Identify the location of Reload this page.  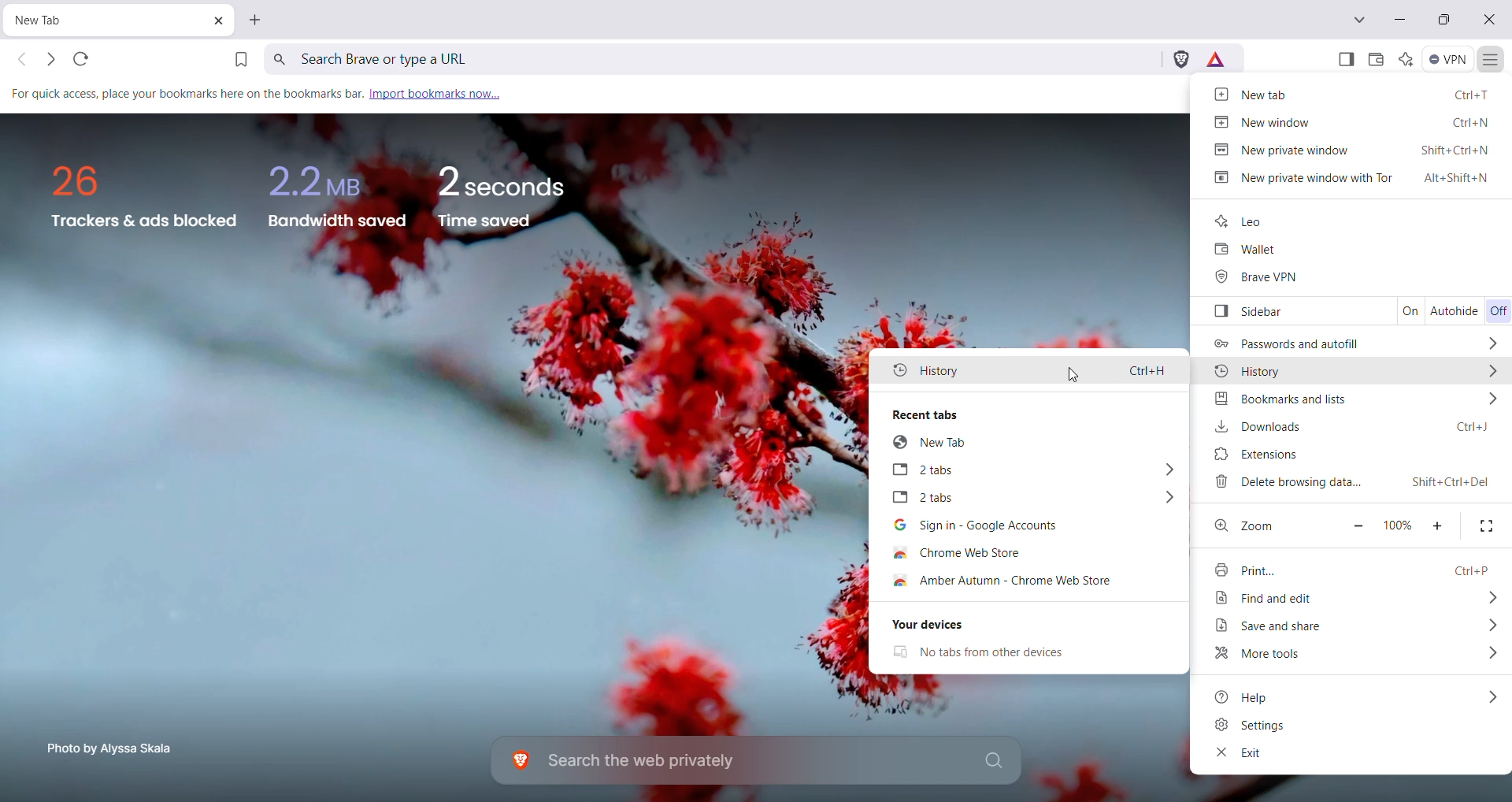
(83, 60).